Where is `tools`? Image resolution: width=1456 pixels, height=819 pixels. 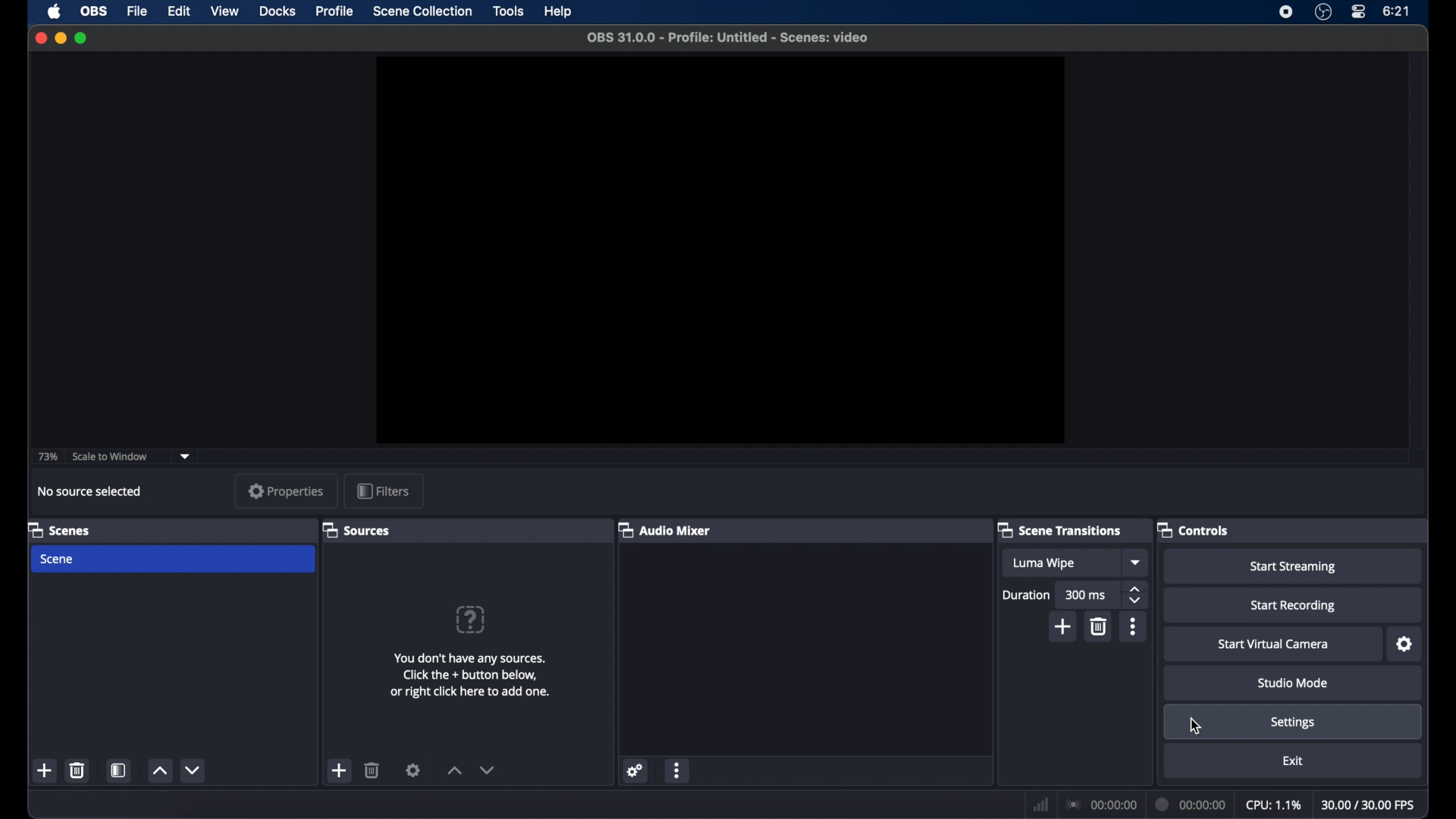 tools is located at coordinates (510, 11).